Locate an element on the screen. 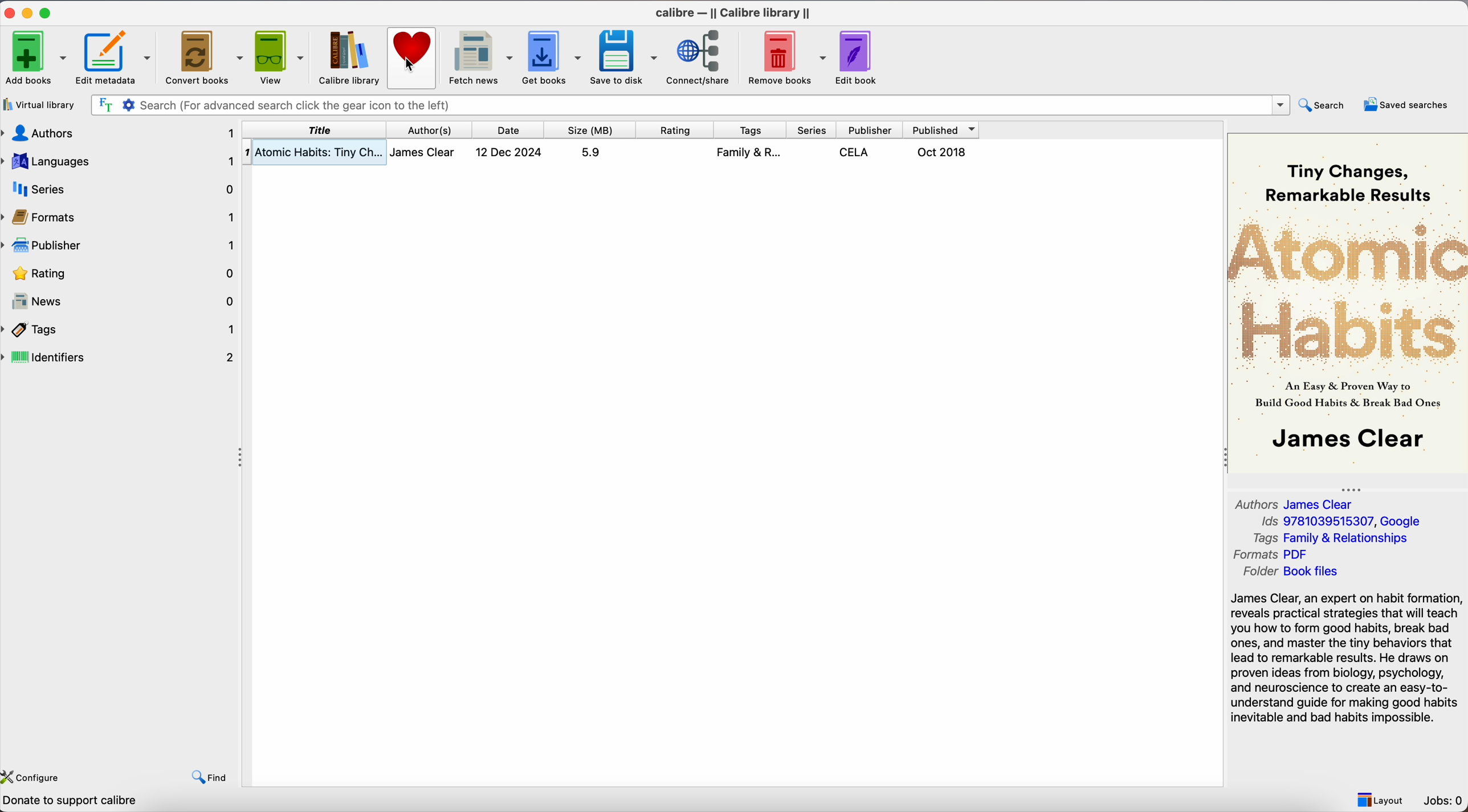 The height and width of the screenshot is (812, 1468). series is located at coordinates (811, 129).